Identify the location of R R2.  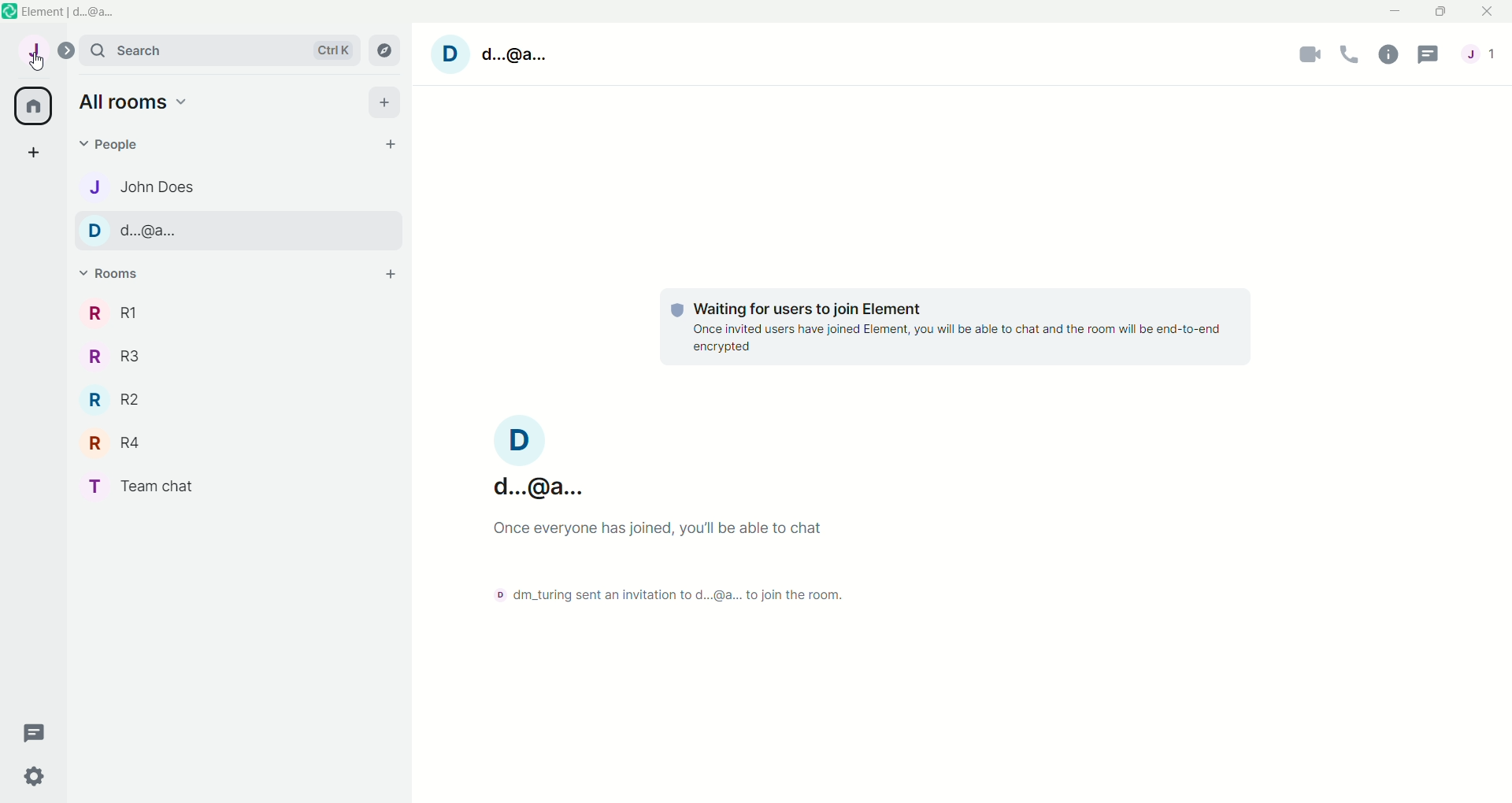
(115, 400).